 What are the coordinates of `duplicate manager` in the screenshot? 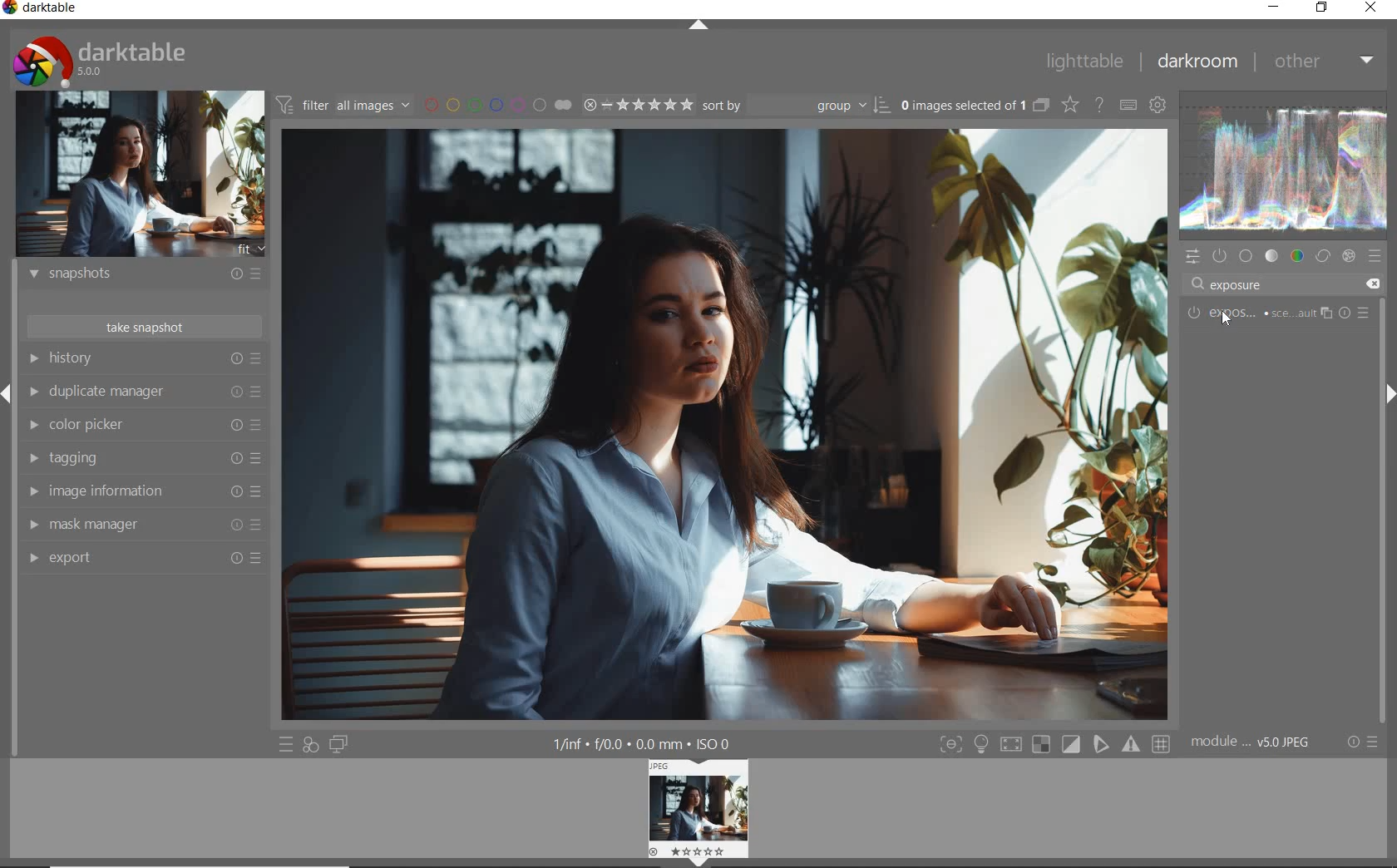 It's located at (146, 392).